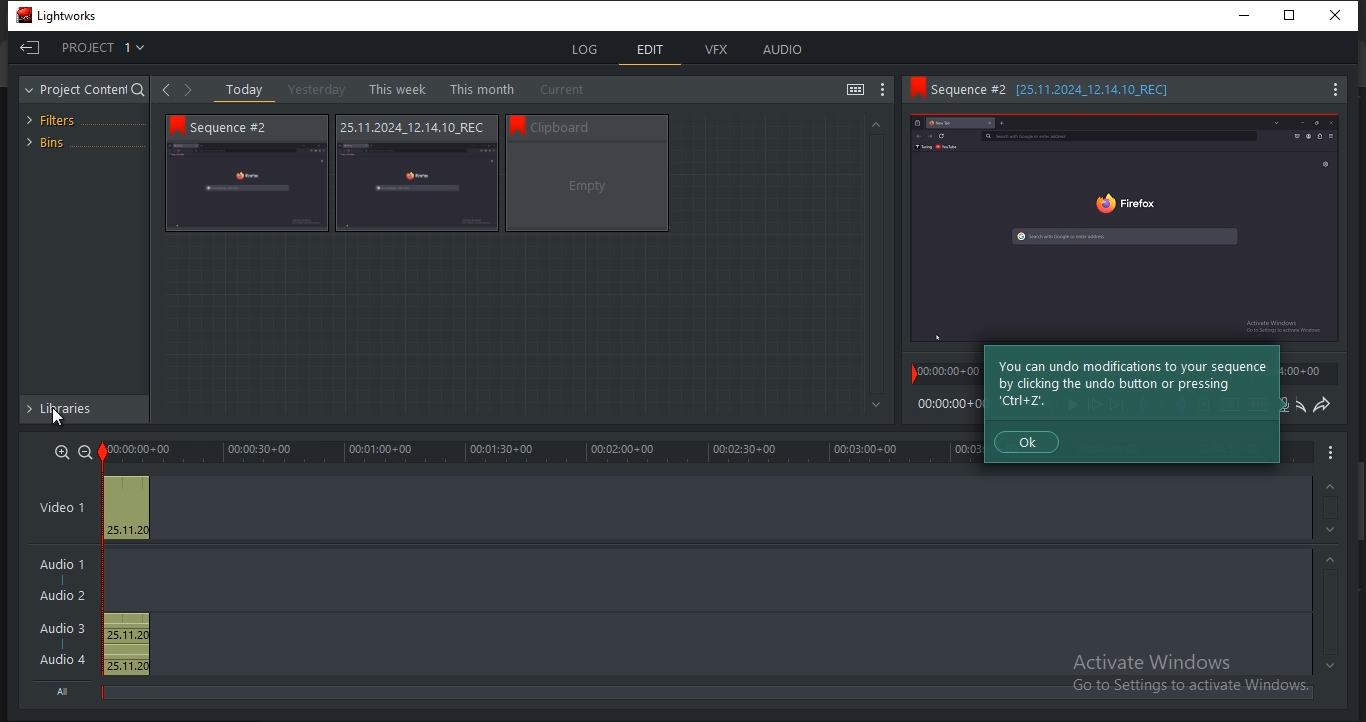 The width and height of the screenshot is (1366, 722). What do you see at coordinates (62, 597) in the screenshot?
I see `Audio 2` at bounding box center [62, 597].